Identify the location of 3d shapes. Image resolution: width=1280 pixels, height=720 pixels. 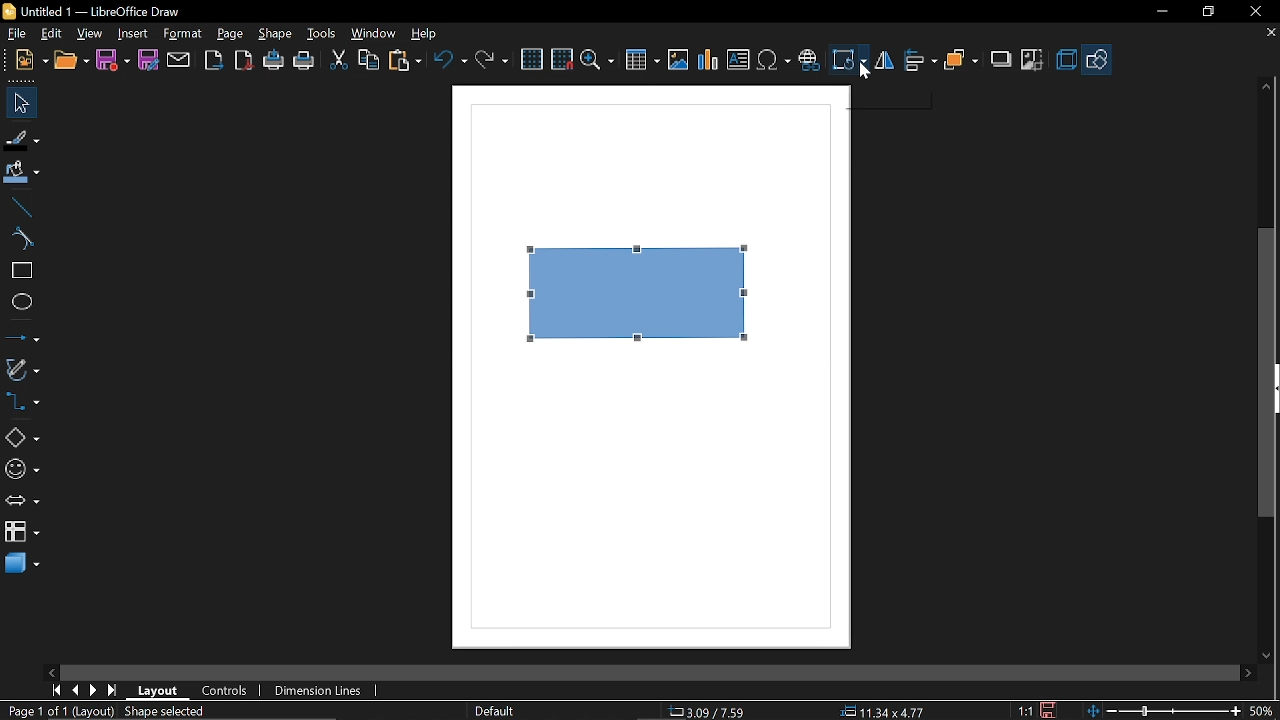
(22, 564).